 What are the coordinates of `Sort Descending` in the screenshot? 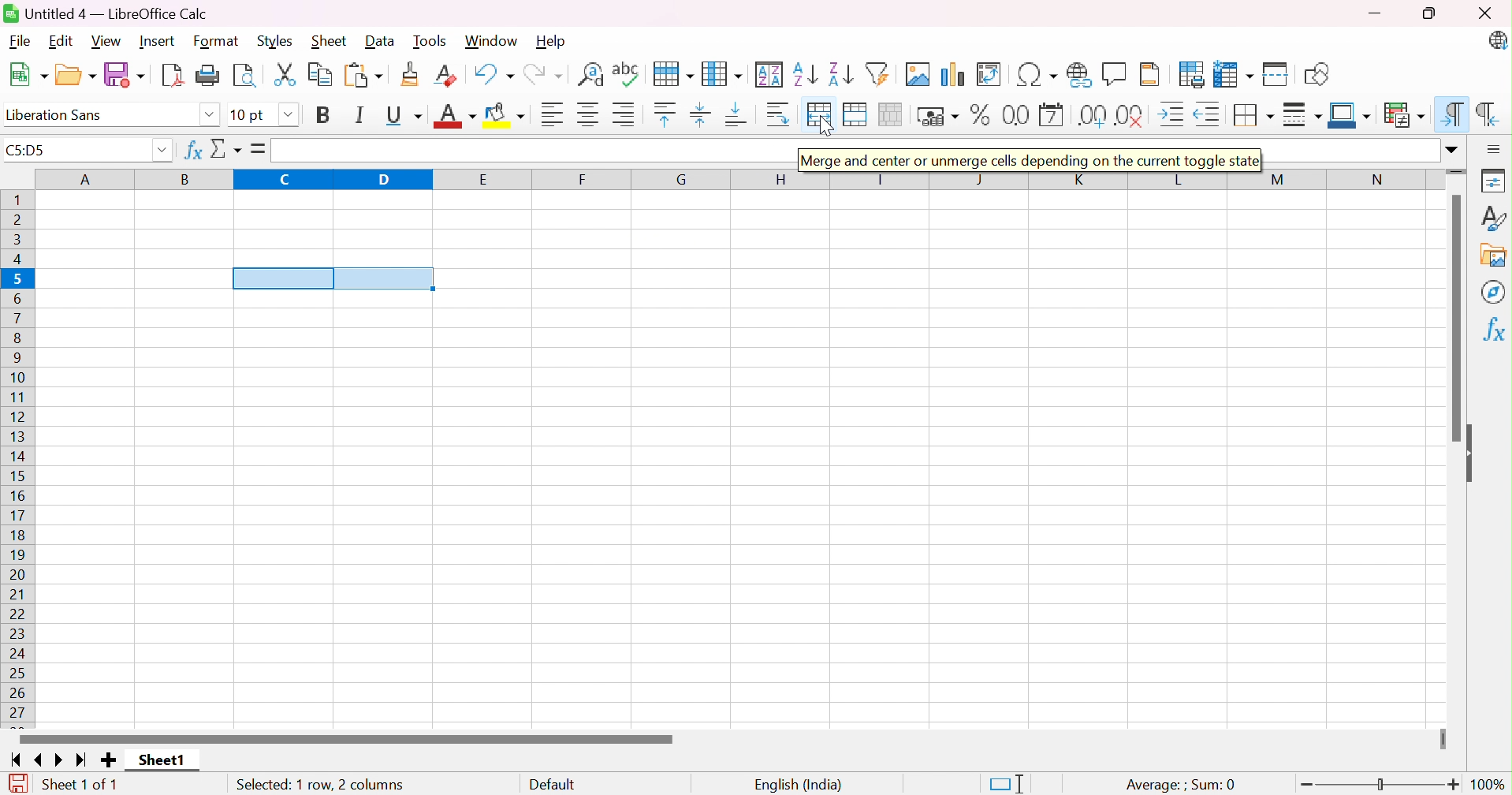 It's located at (840, 71).